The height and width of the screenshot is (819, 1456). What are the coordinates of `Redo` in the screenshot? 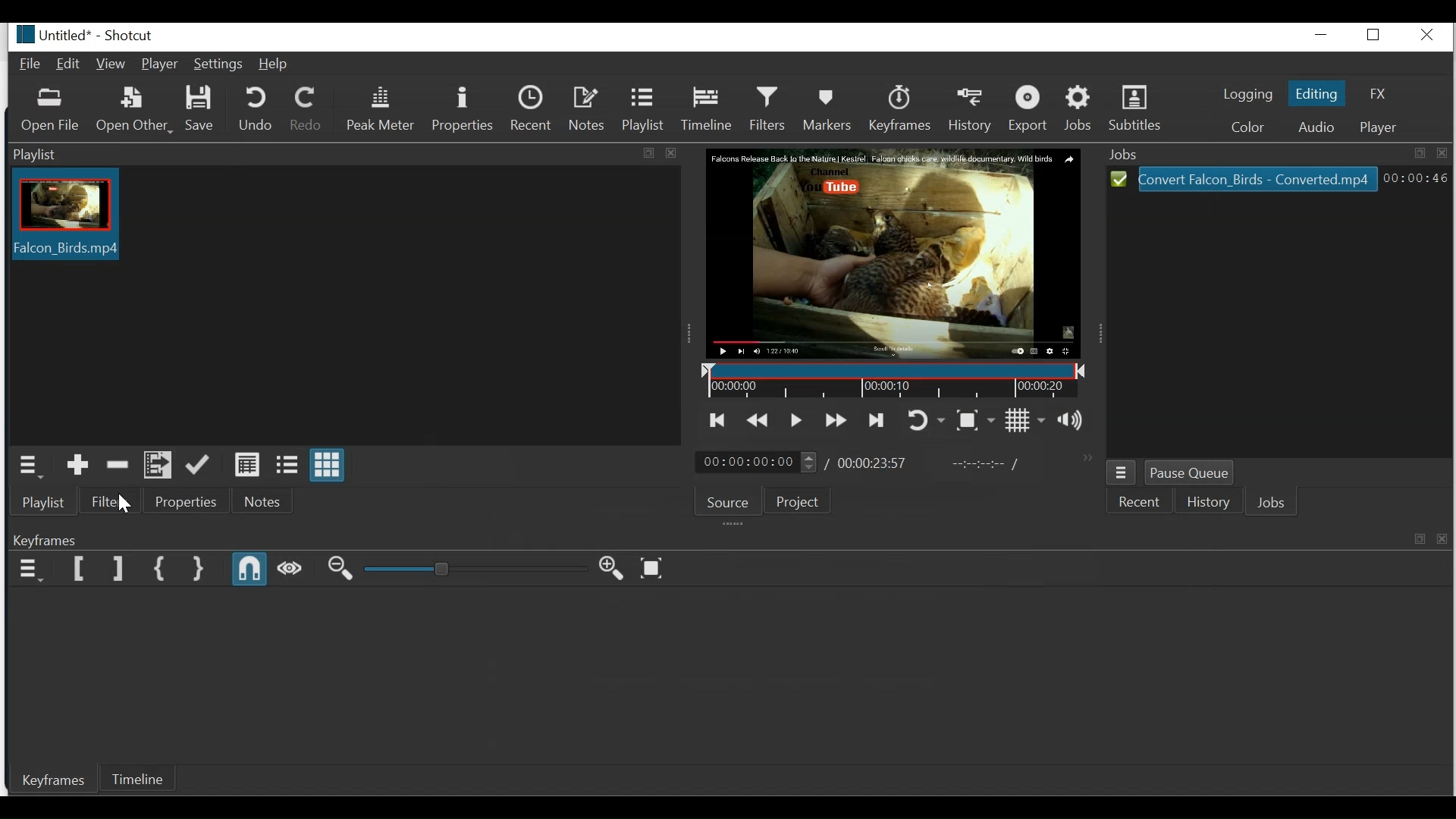 It's located at (306, 108).